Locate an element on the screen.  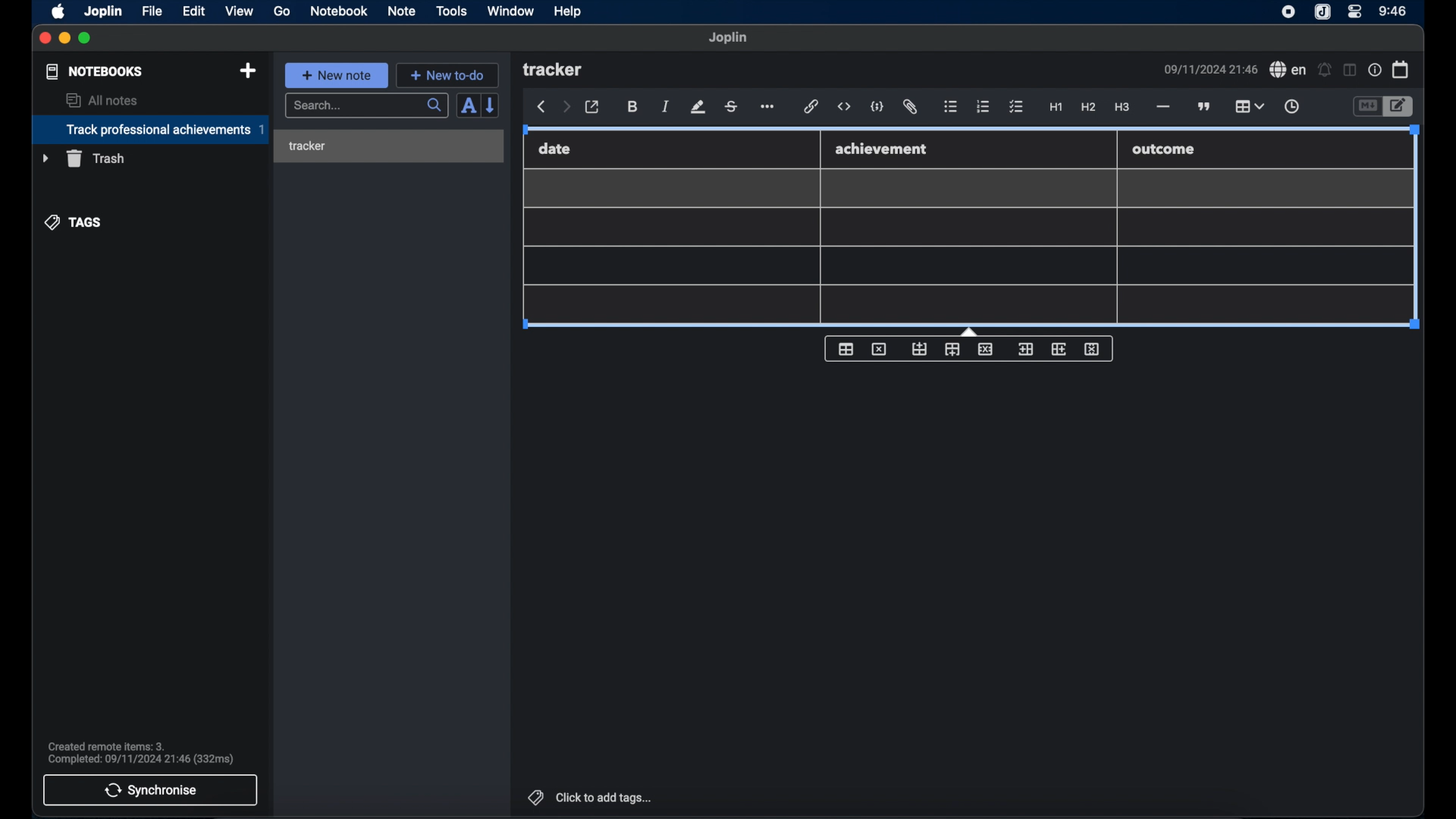
joplin icon is located at coordinates (1288, 13).